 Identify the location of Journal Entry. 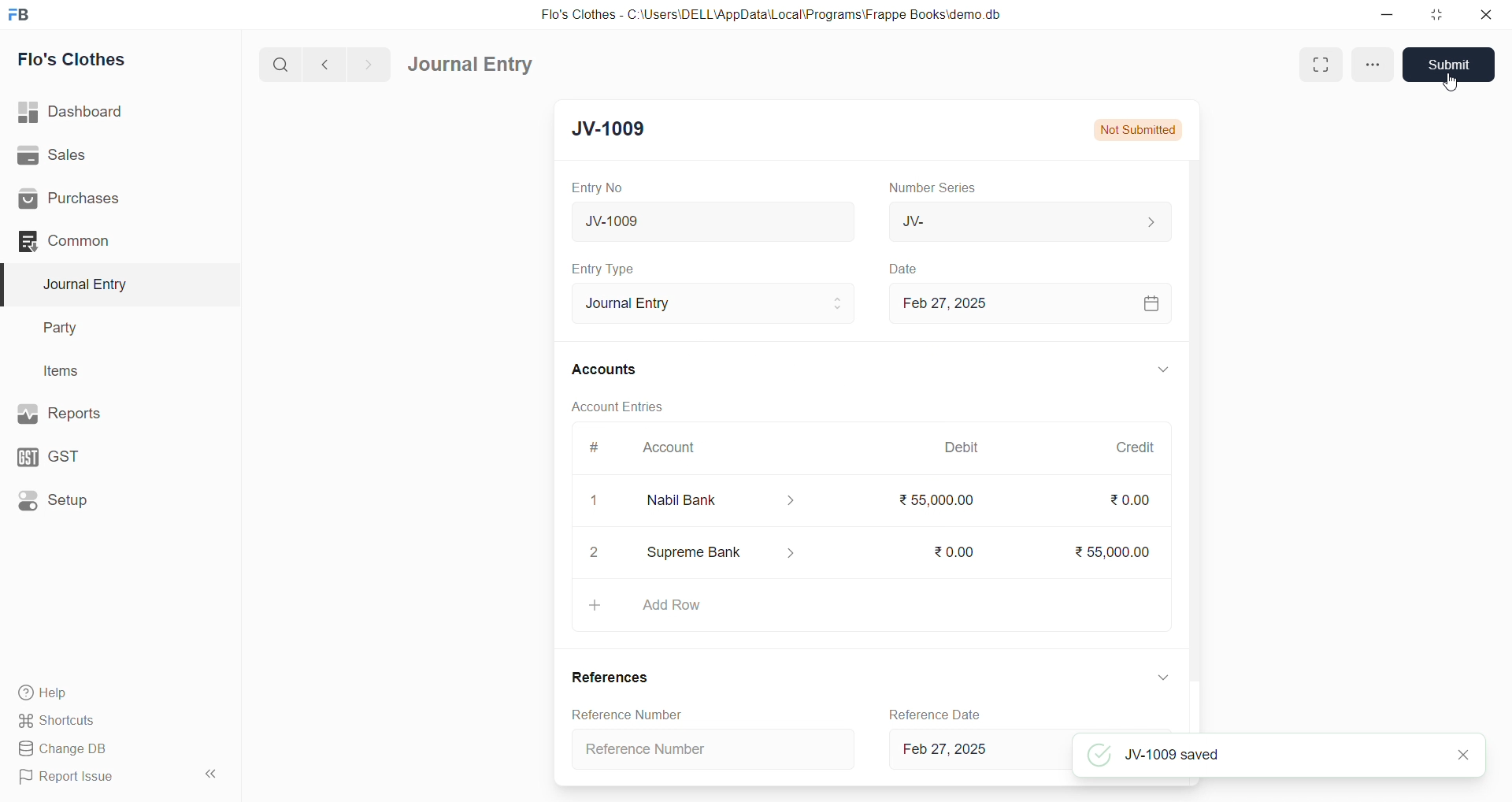
(715, 303).